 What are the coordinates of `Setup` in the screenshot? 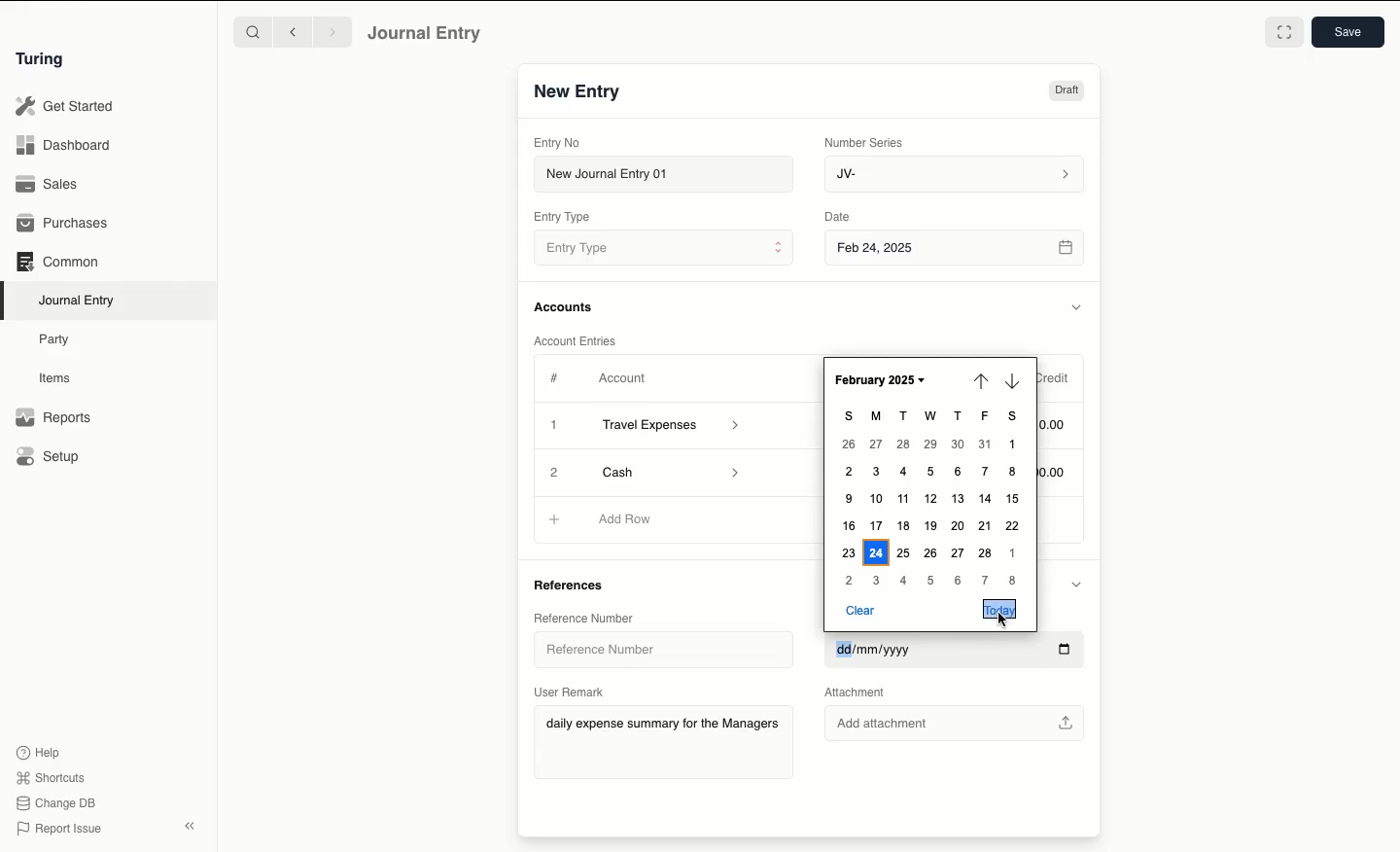 It's located at (49, 455).